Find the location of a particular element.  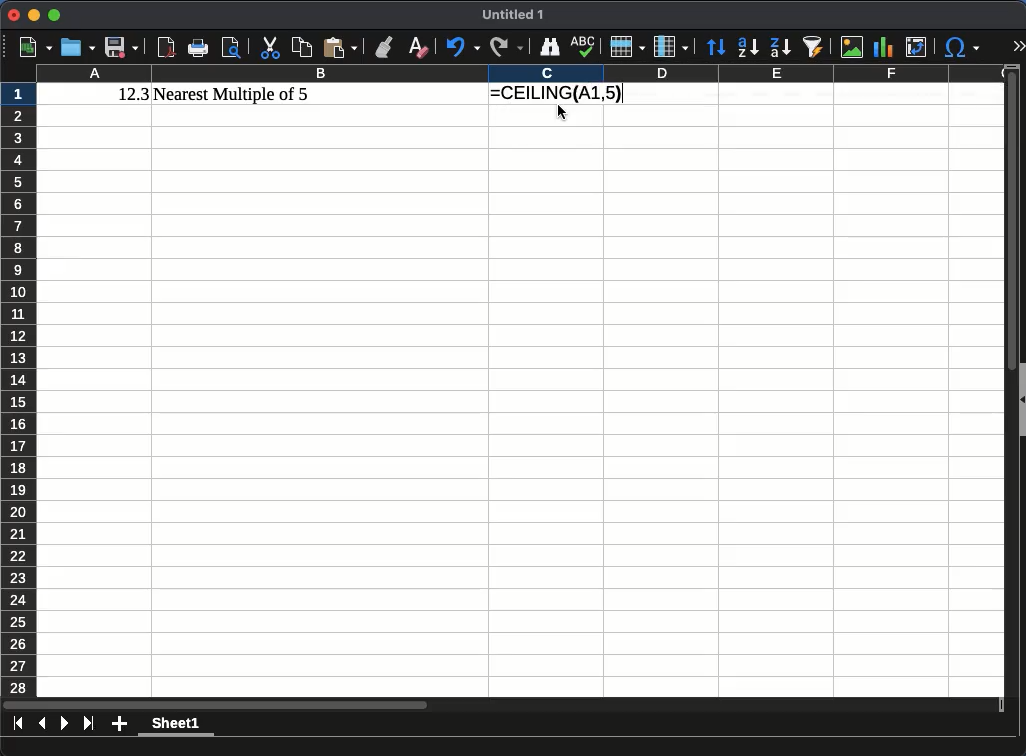

copy is located at coordinates (301, 46).